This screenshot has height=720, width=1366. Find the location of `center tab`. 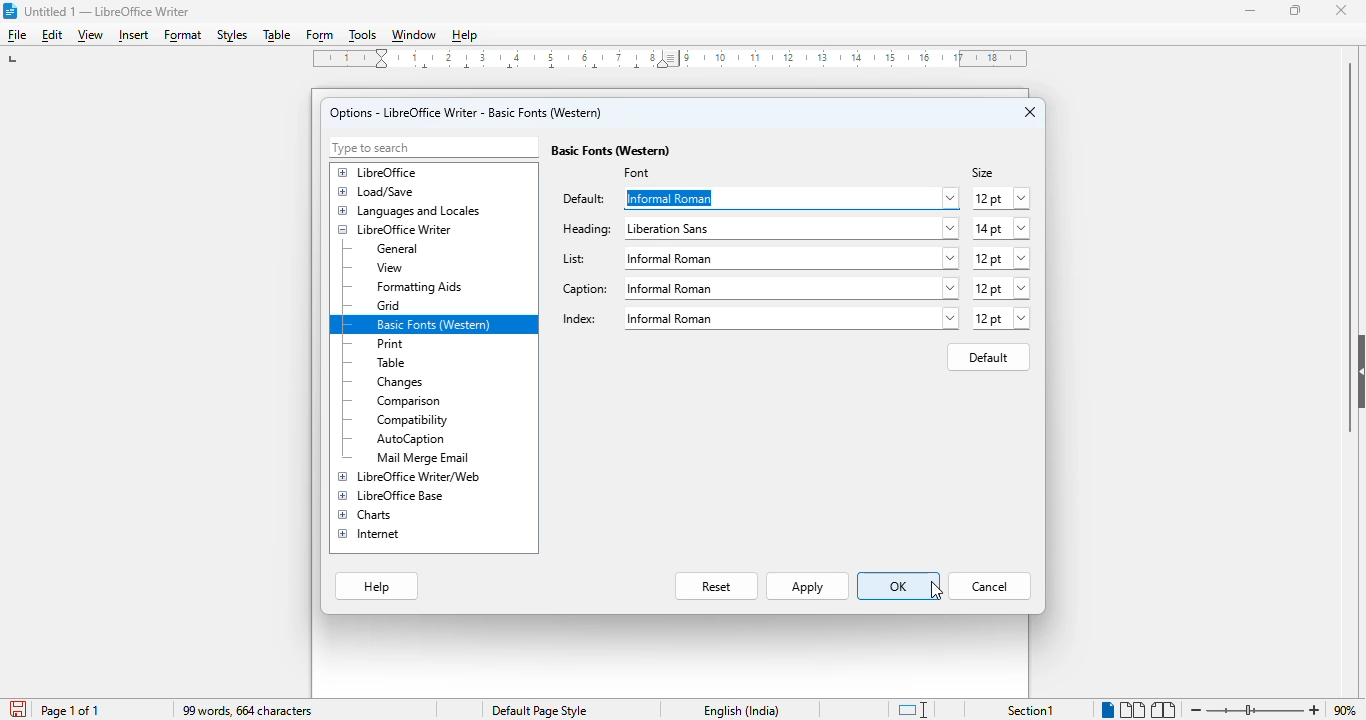

center tab is located at coordinates (642, 71).